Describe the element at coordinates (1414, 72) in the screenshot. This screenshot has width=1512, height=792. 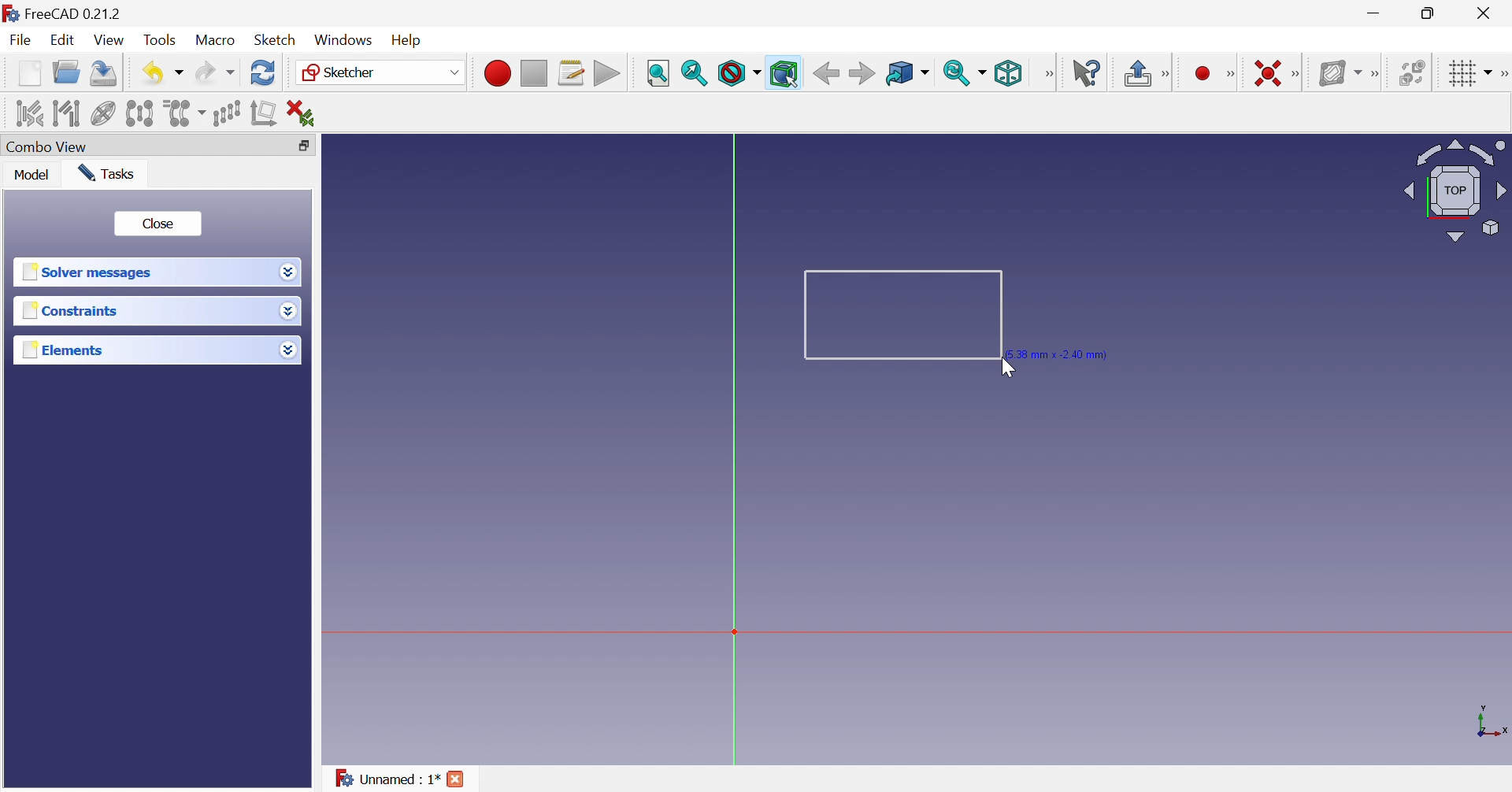
I see `Switch space` at that location.